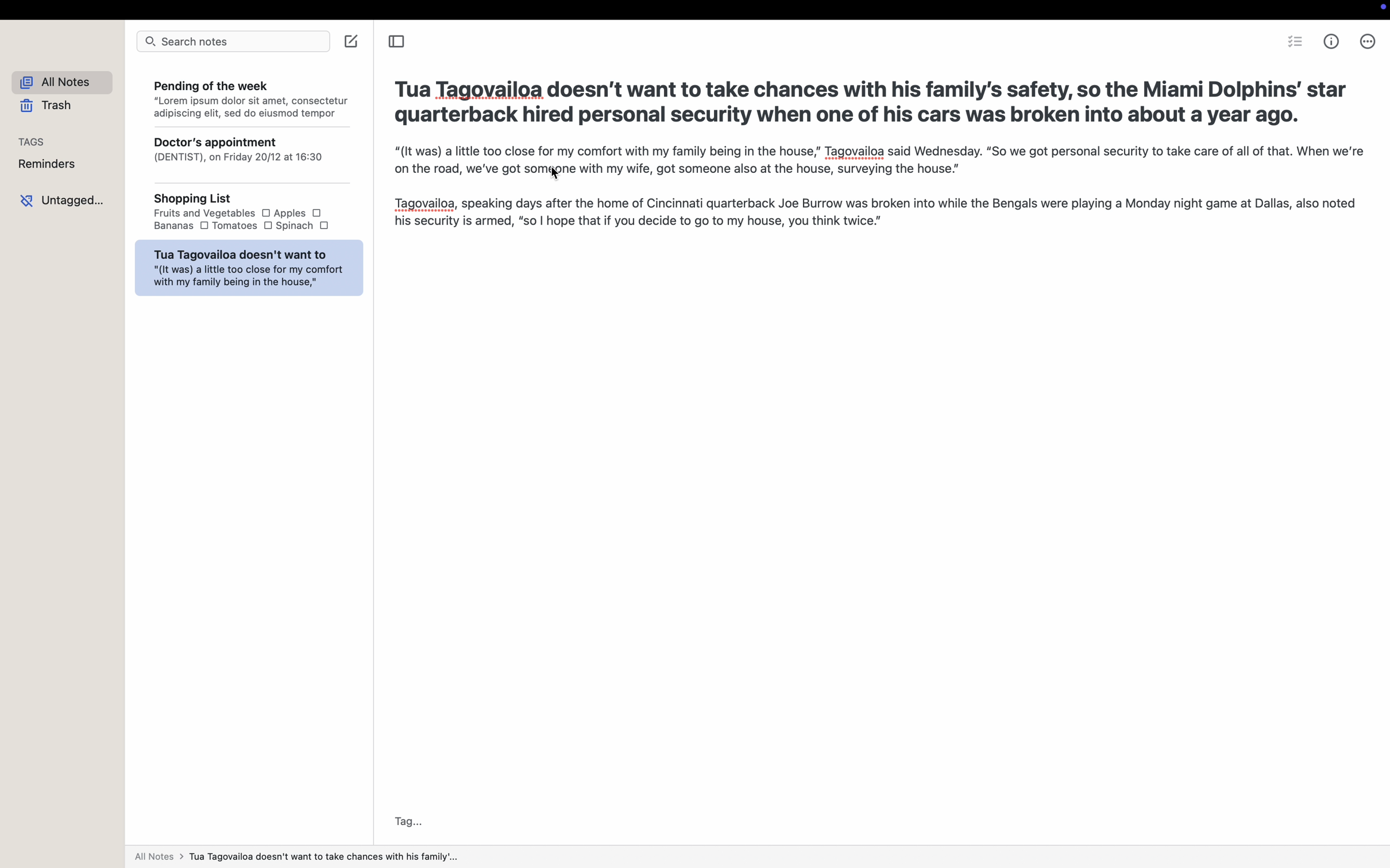 The image size is (1390, 868). What do you see at coordinates (408, 817) in the screenshot?
I see `tag` at bounding box center [408, 817].